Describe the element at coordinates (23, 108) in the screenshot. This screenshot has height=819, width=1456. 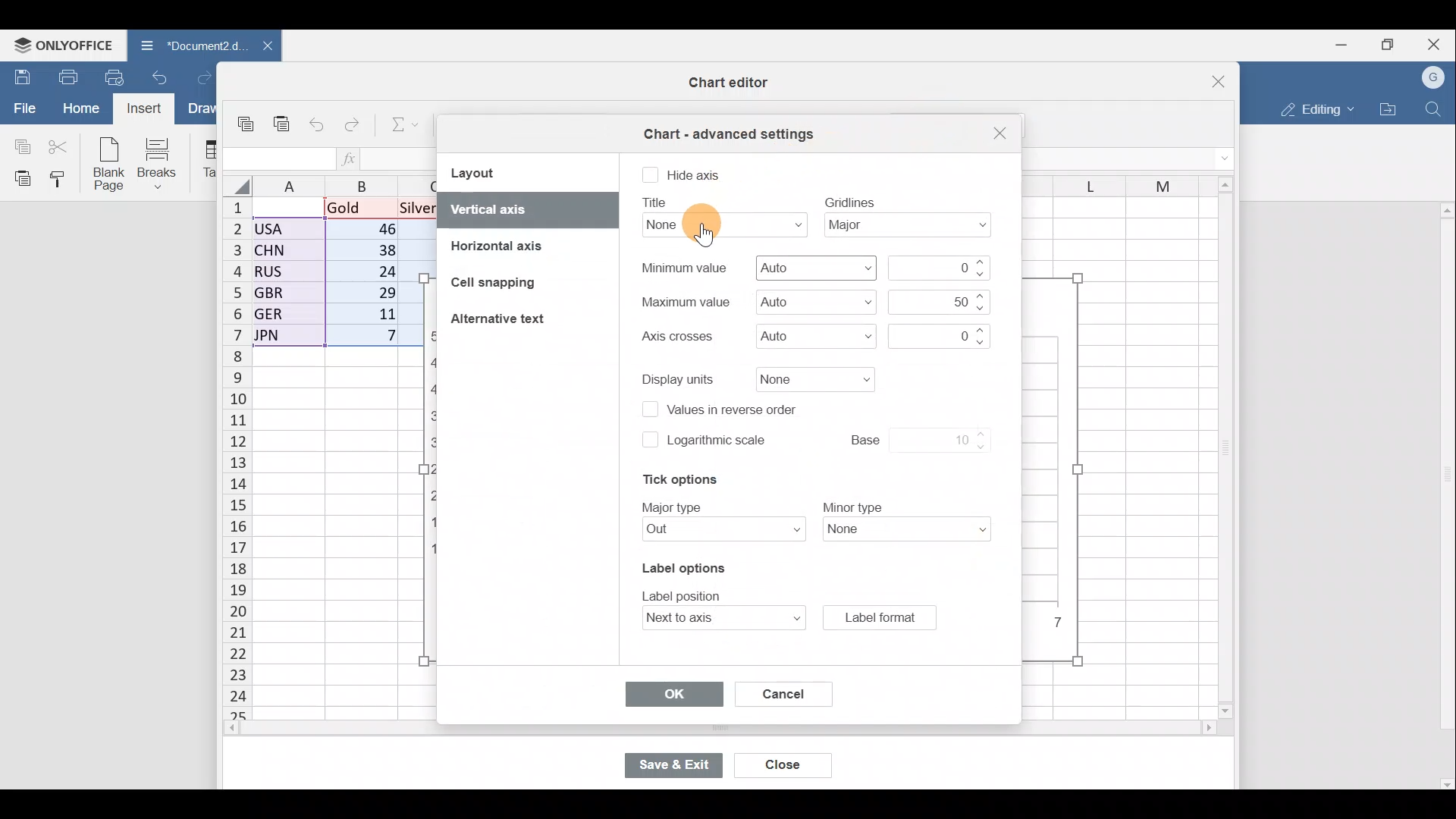
I see `File` at that location.